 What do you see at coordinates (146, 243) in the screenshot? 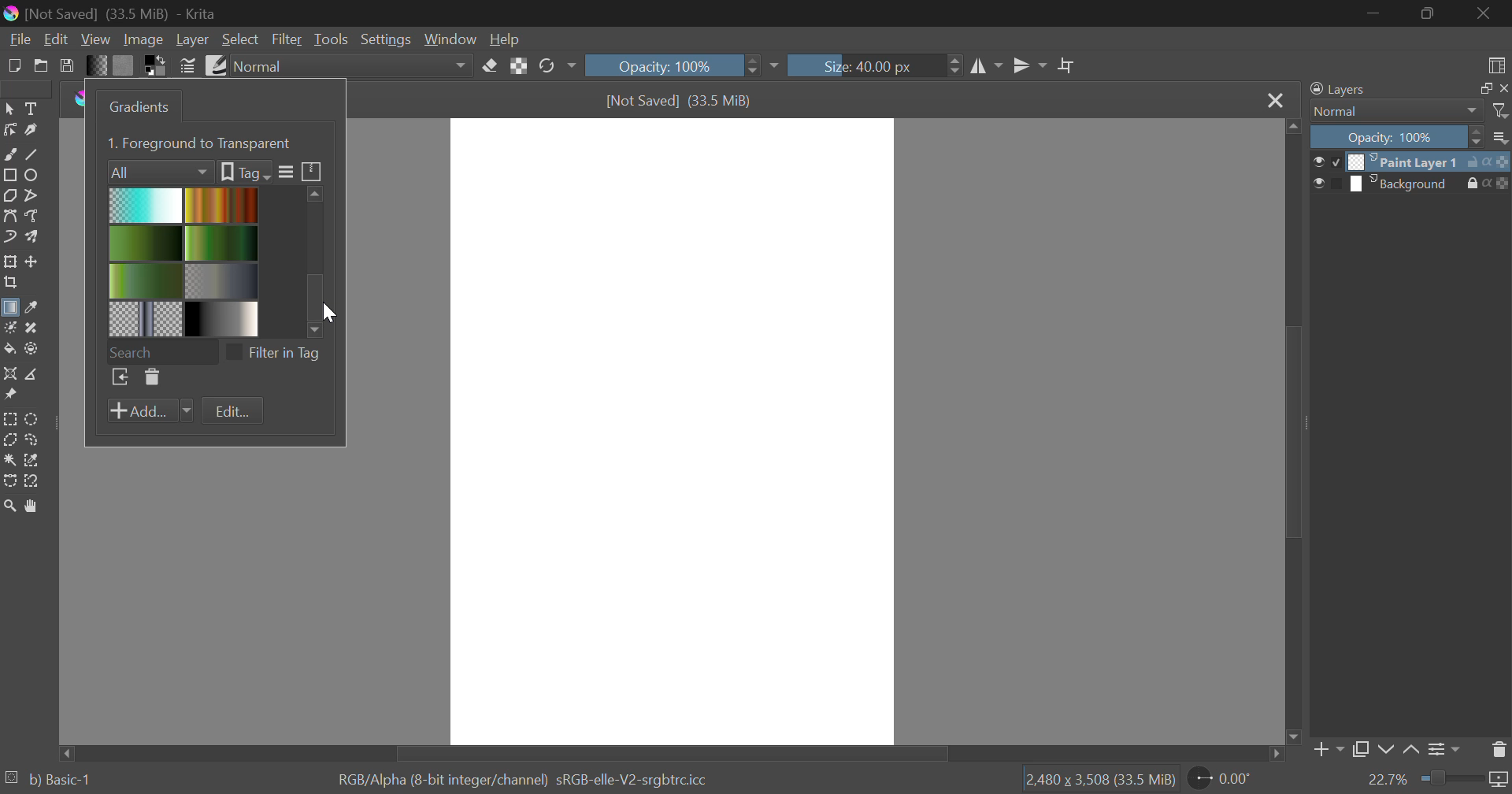
I see `Gradient 3` at bounding box center [146, 243].